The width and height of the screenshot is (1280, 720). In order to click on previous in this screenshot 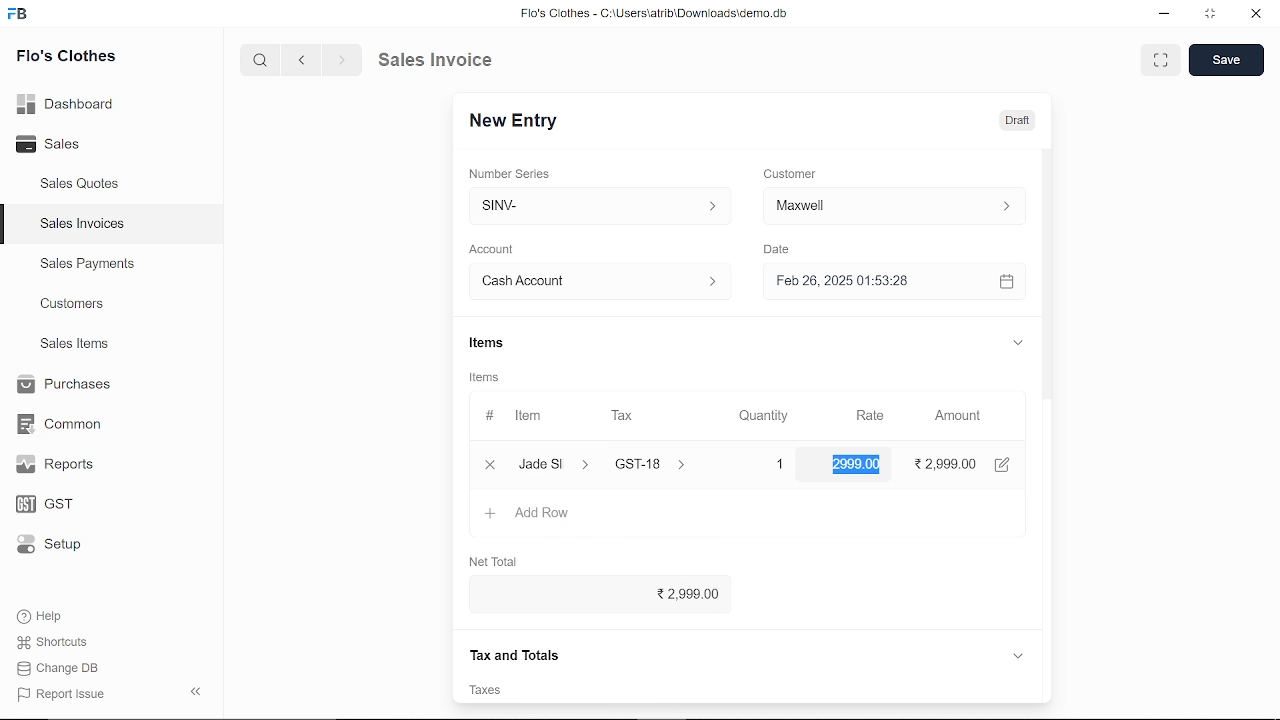, I will do `click(302, 59)`.